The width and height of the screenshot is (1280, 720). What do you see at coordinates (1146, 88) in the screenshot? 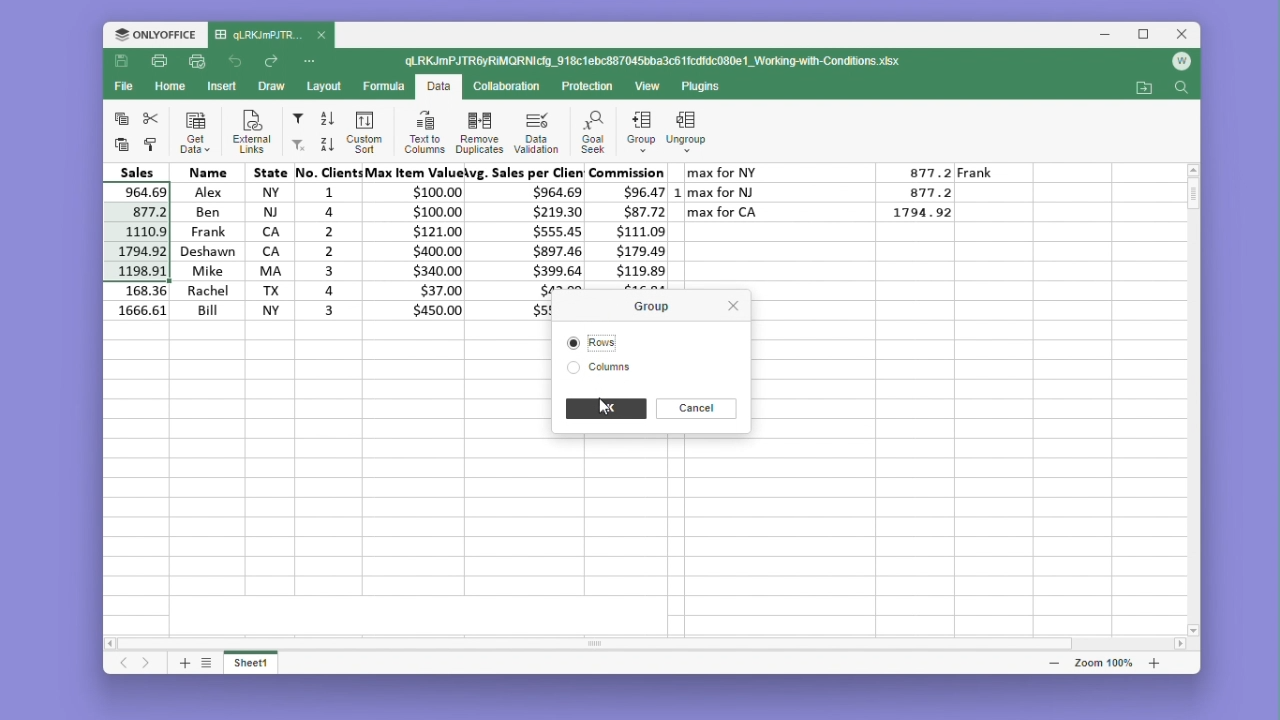
I see `Go to file location` at bounding box center [1146, 88].